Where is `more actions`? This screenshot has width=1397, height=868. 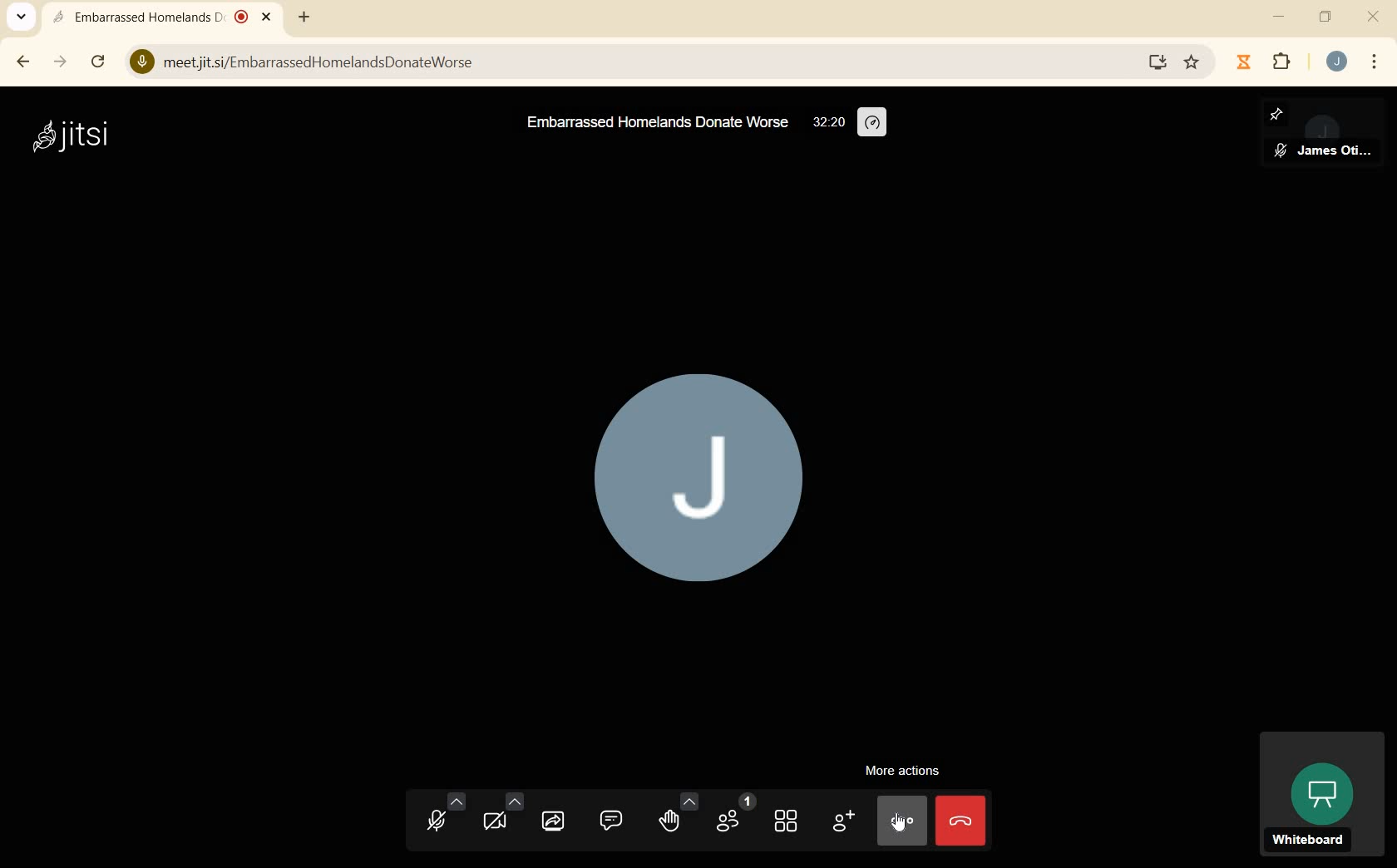 more actions is located at coordinates (901, 819).